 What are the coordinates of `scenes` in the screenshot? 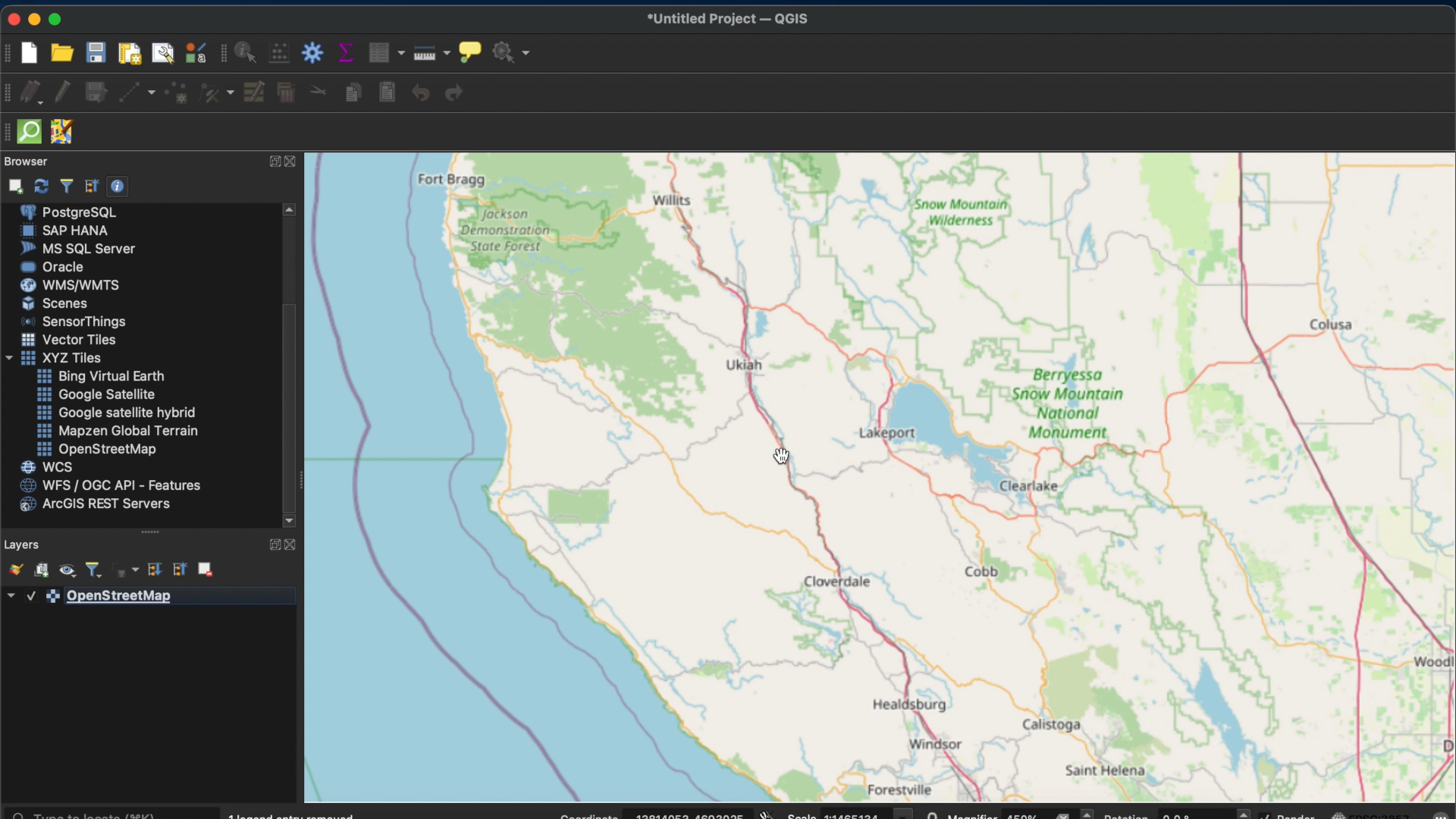 It's located at (54, 303).